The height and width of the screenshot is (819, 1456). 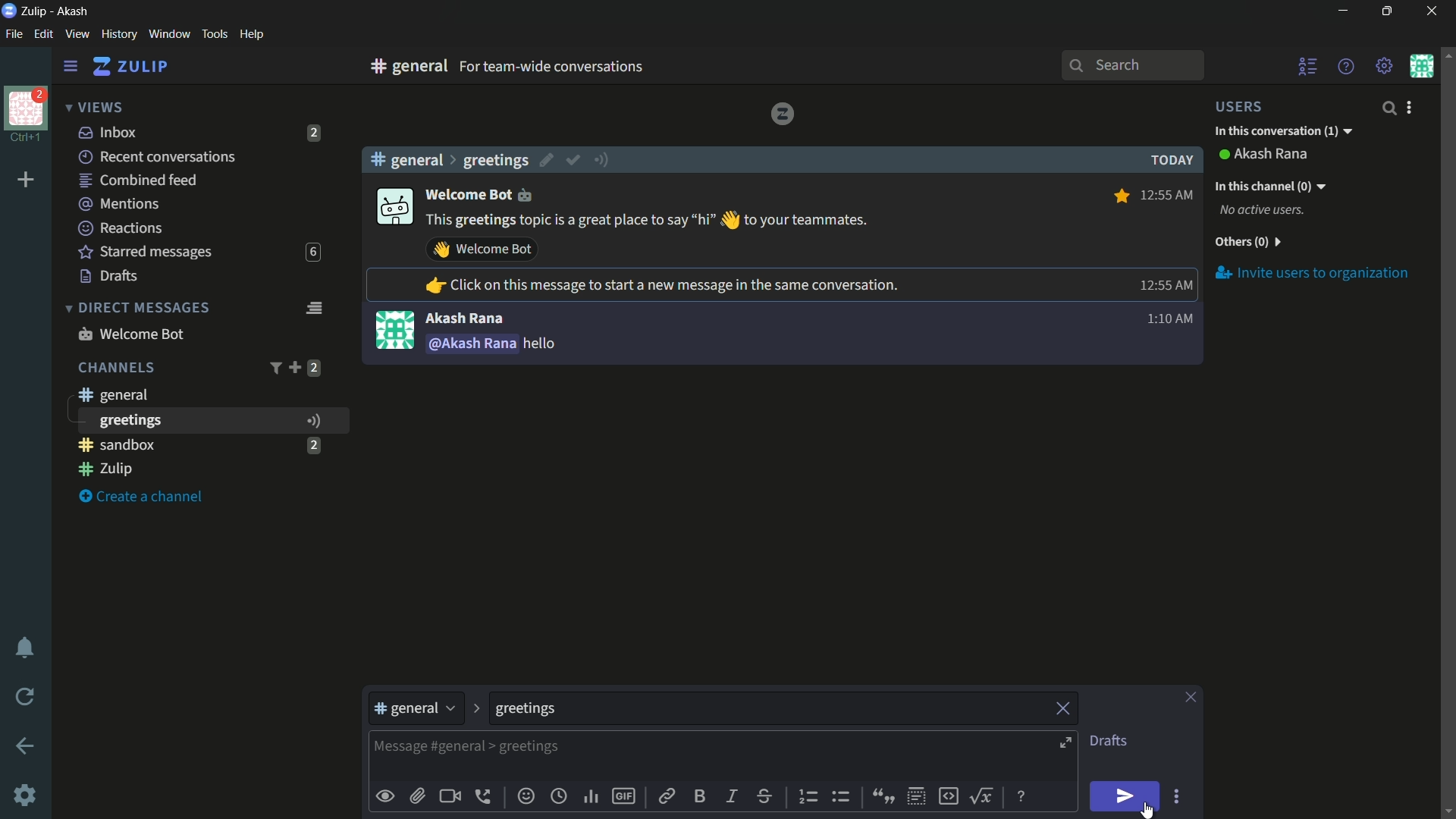 I want to click on This greeting topic is a great place to say hi to your teammates, so click(x=648, y=221).